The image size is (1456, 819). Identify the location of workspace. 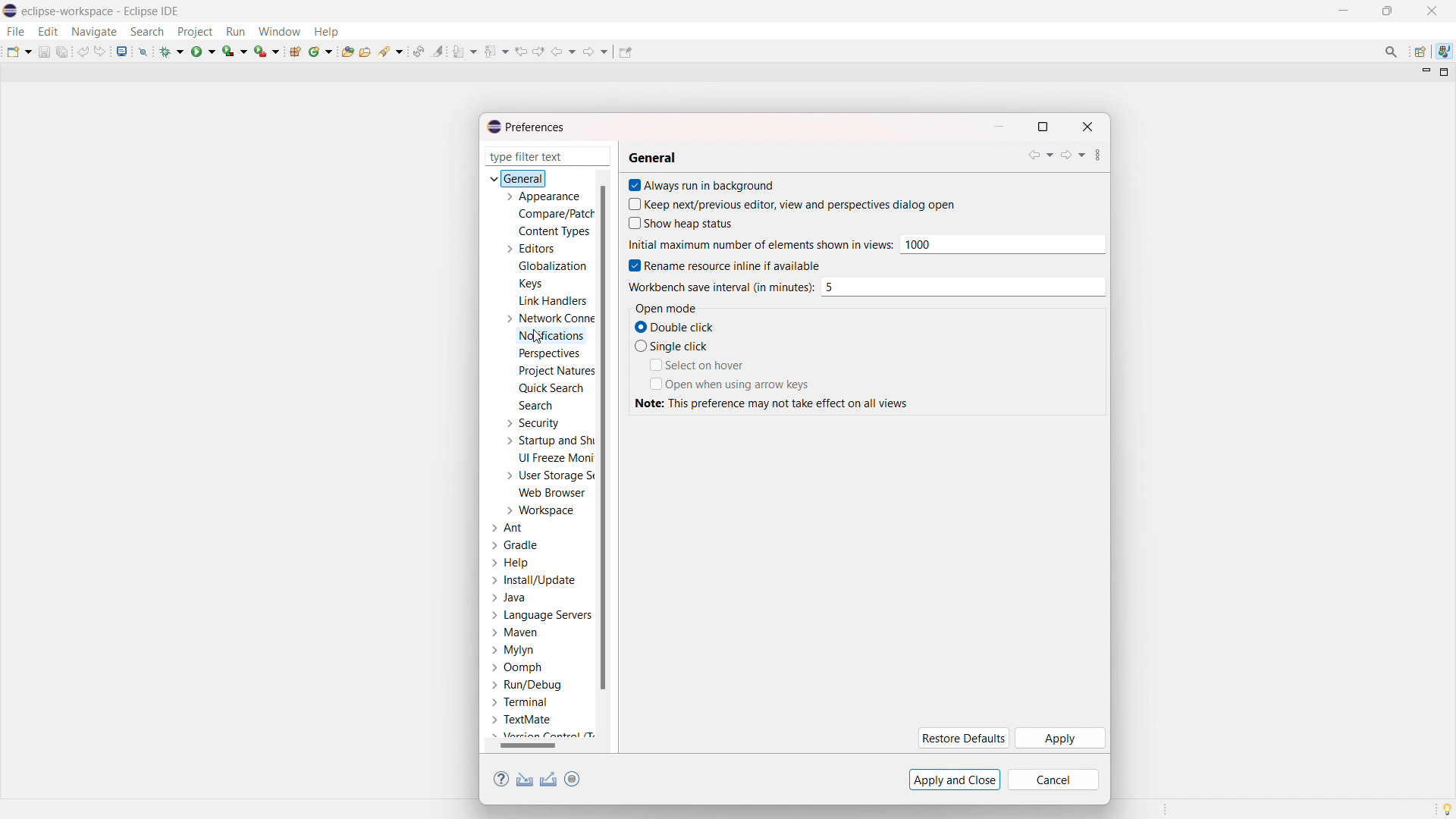
(539, 510).